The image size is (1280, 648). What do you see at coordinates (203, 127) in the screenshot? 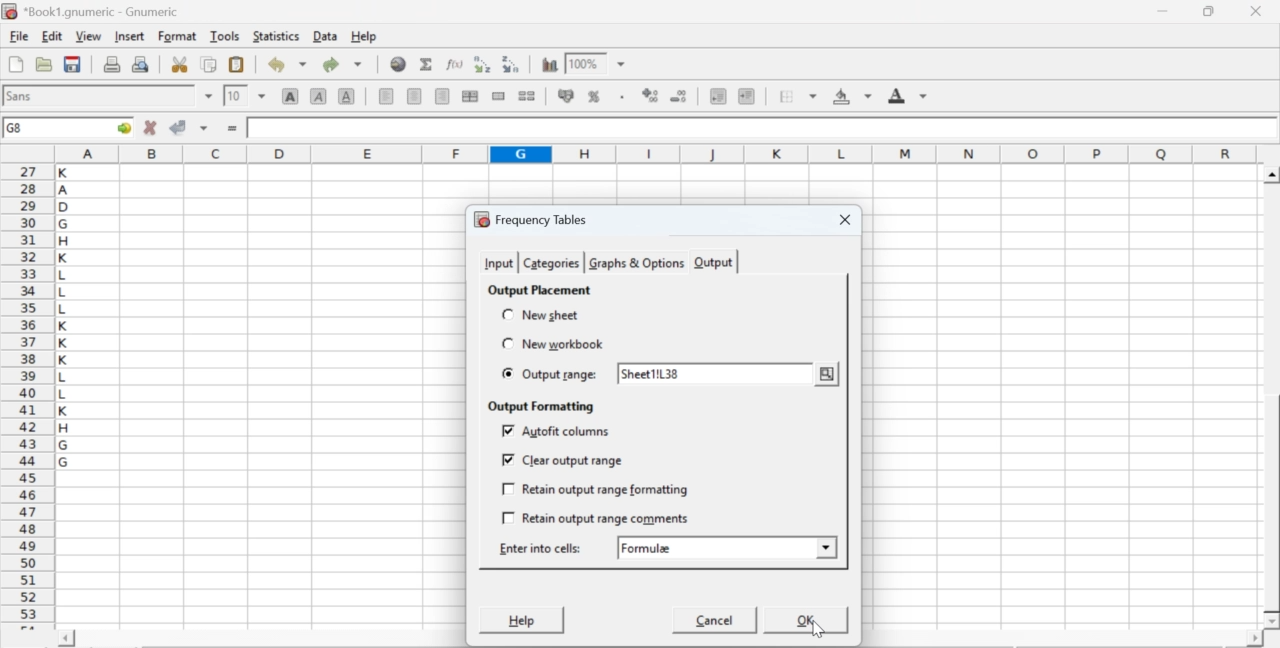
I see `accept changes across selection` at bounding box center [203, 127].